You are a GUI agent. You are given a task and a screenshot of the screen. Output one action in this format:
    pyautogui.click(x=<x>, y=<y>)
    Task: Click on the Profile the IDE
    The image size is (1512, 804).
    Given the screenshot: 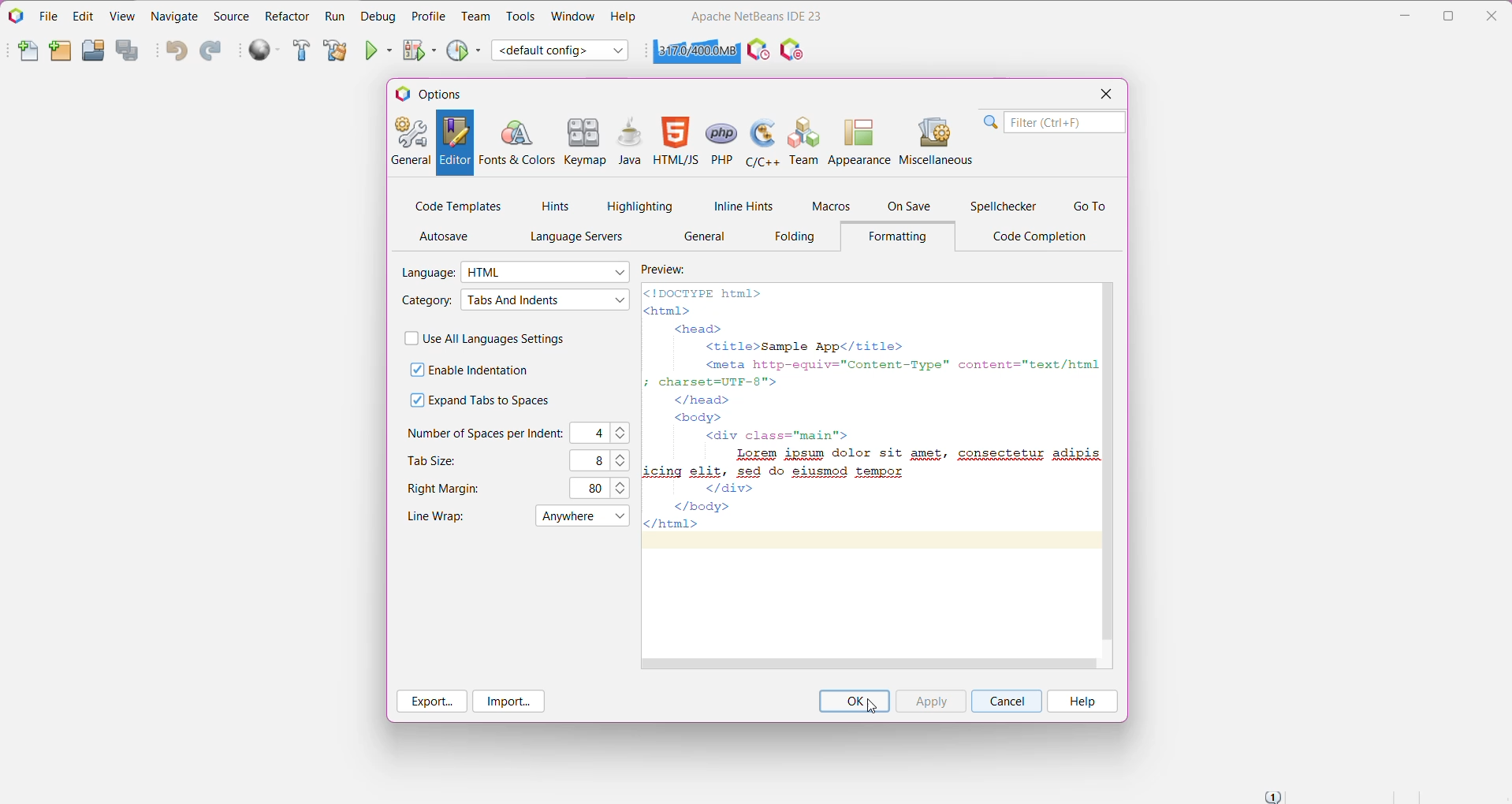 What is the action you would take?
    pyautogui.click(x=758, y=50)
    